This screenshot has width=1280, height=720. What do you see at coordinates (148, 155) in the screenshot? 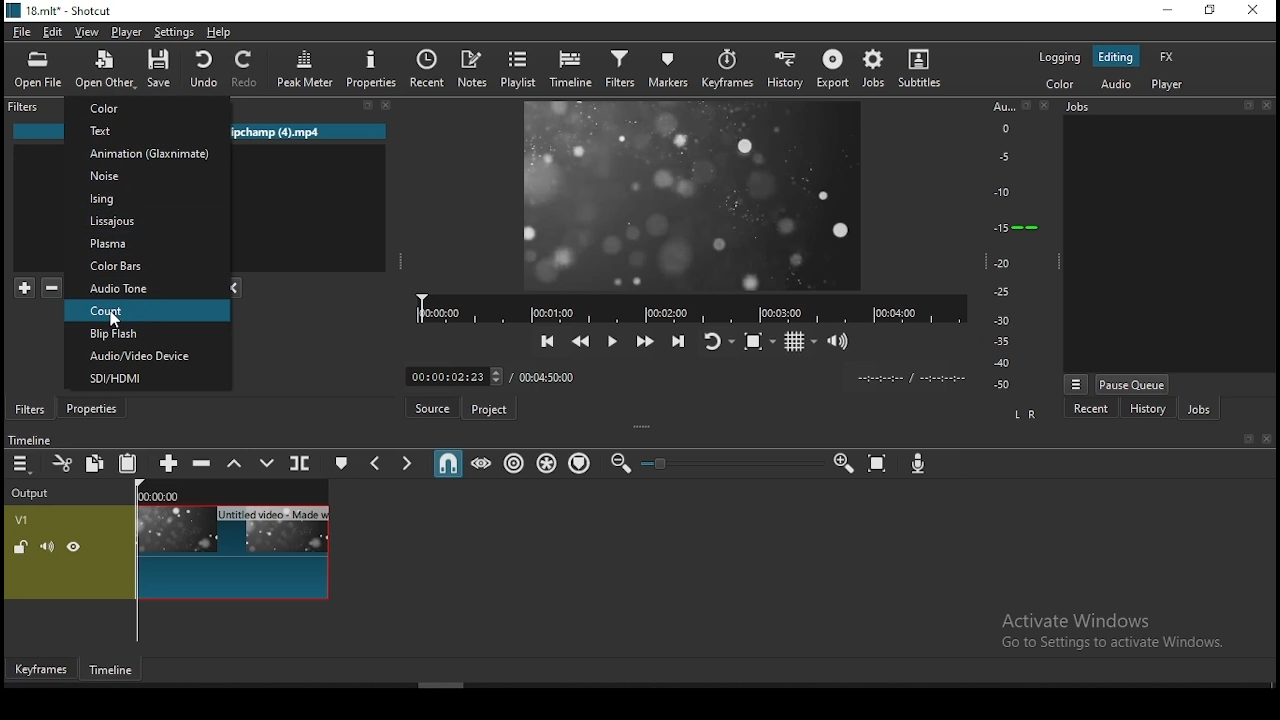
I see `animation` at bounding box center [148, 155].